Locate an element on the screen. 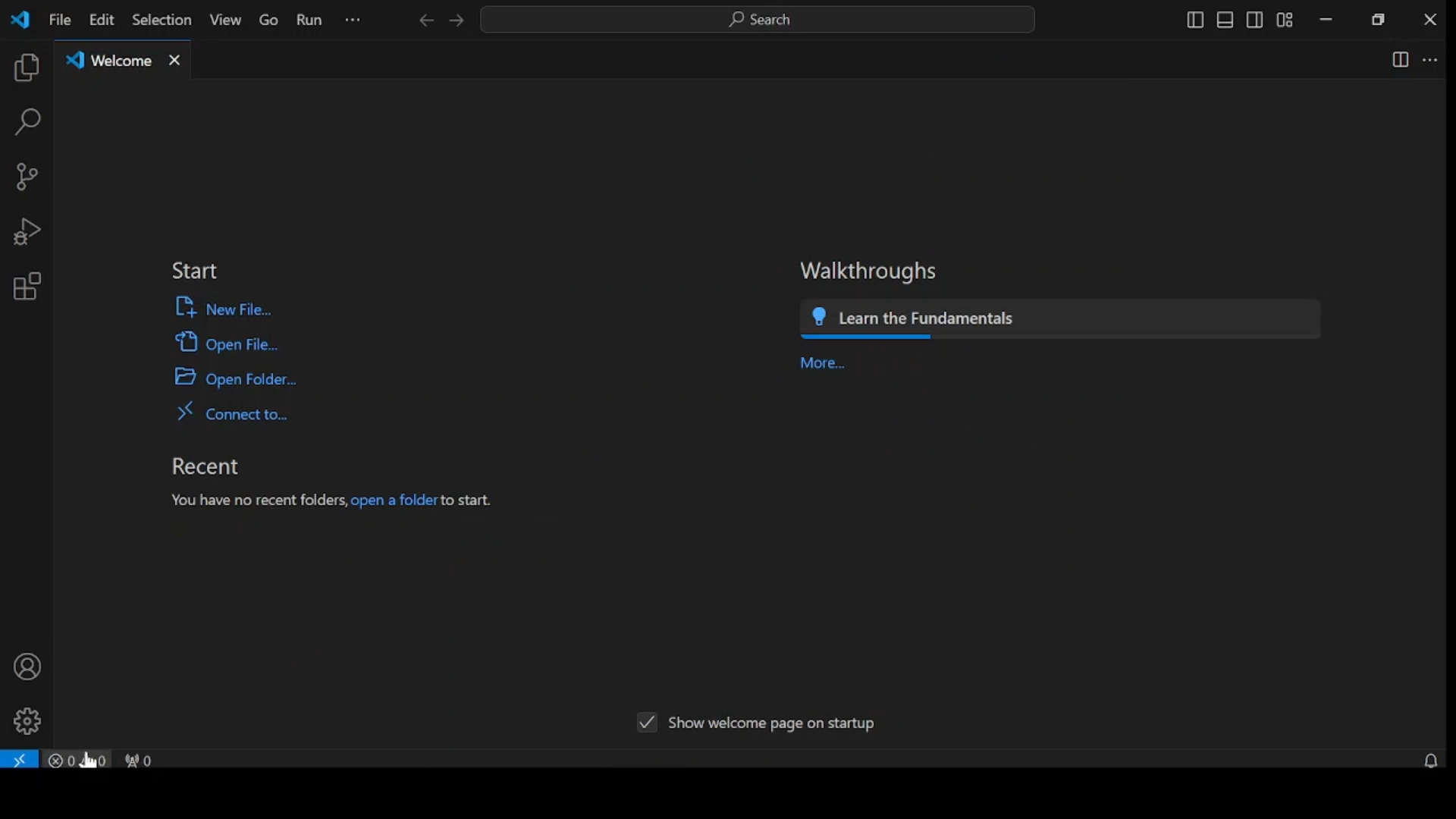  toggle secondary sidebar is located at coordinates (1255, 20).